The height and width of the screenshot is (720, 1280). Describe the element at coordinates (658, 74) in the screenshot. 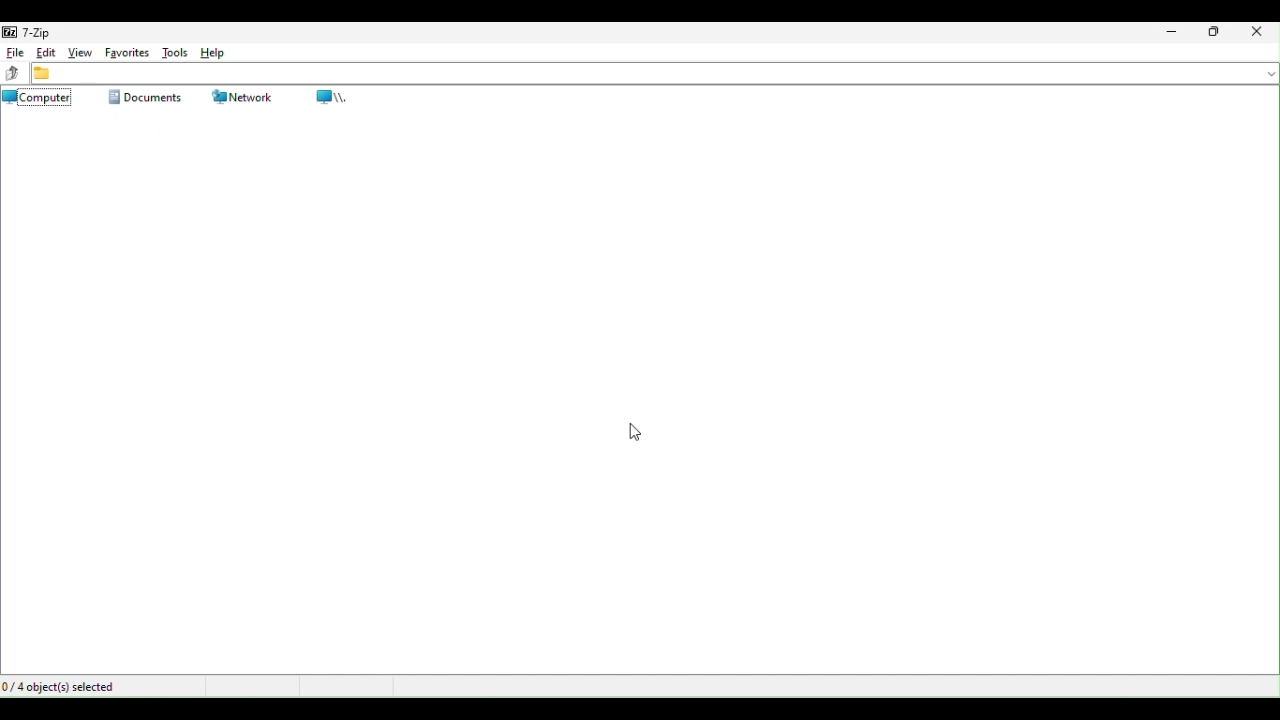

I see `file address bar` at that location.